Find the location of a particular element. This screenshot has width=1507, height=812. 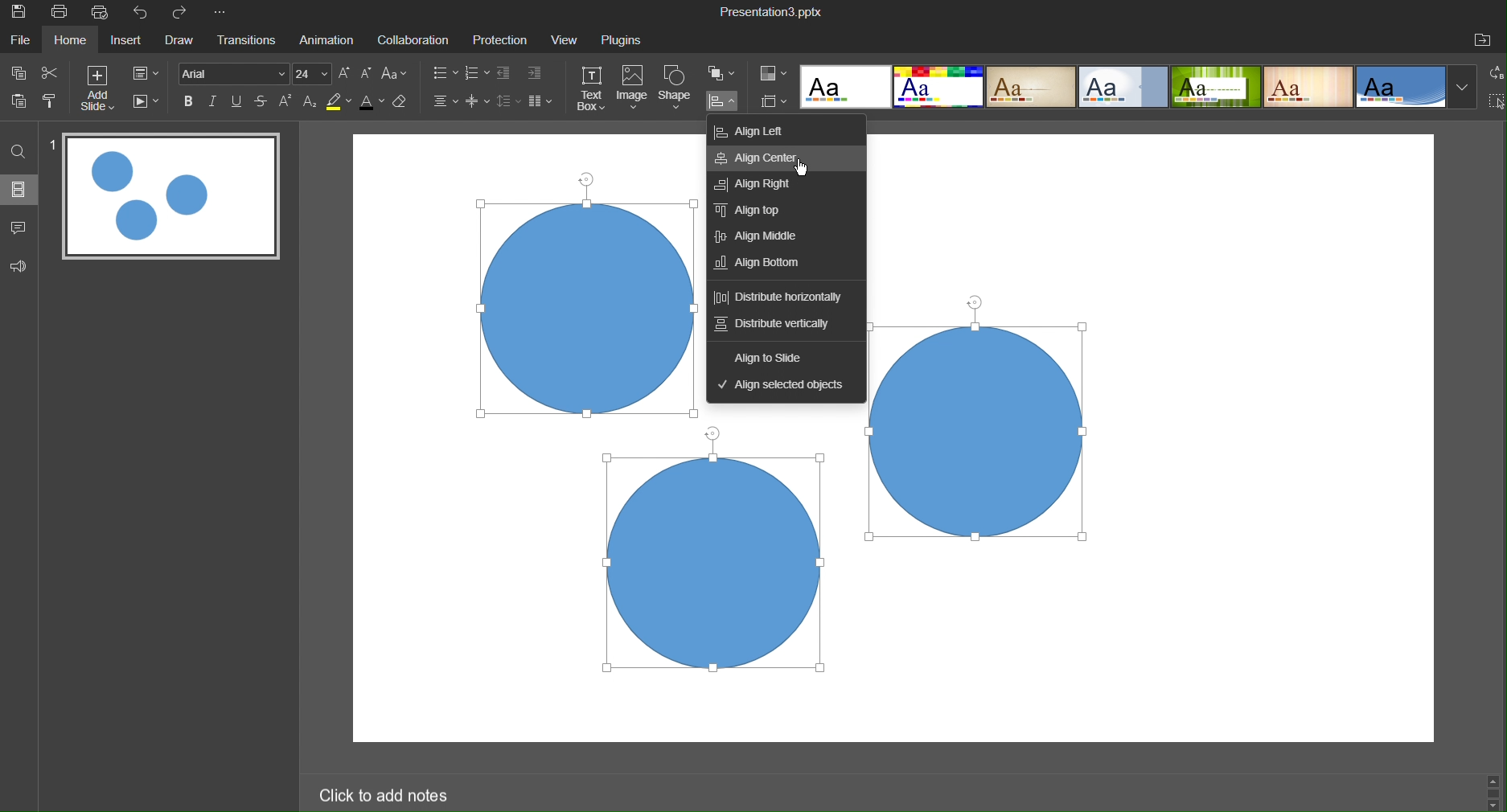

Highlight is located at coordinates (337, 102).